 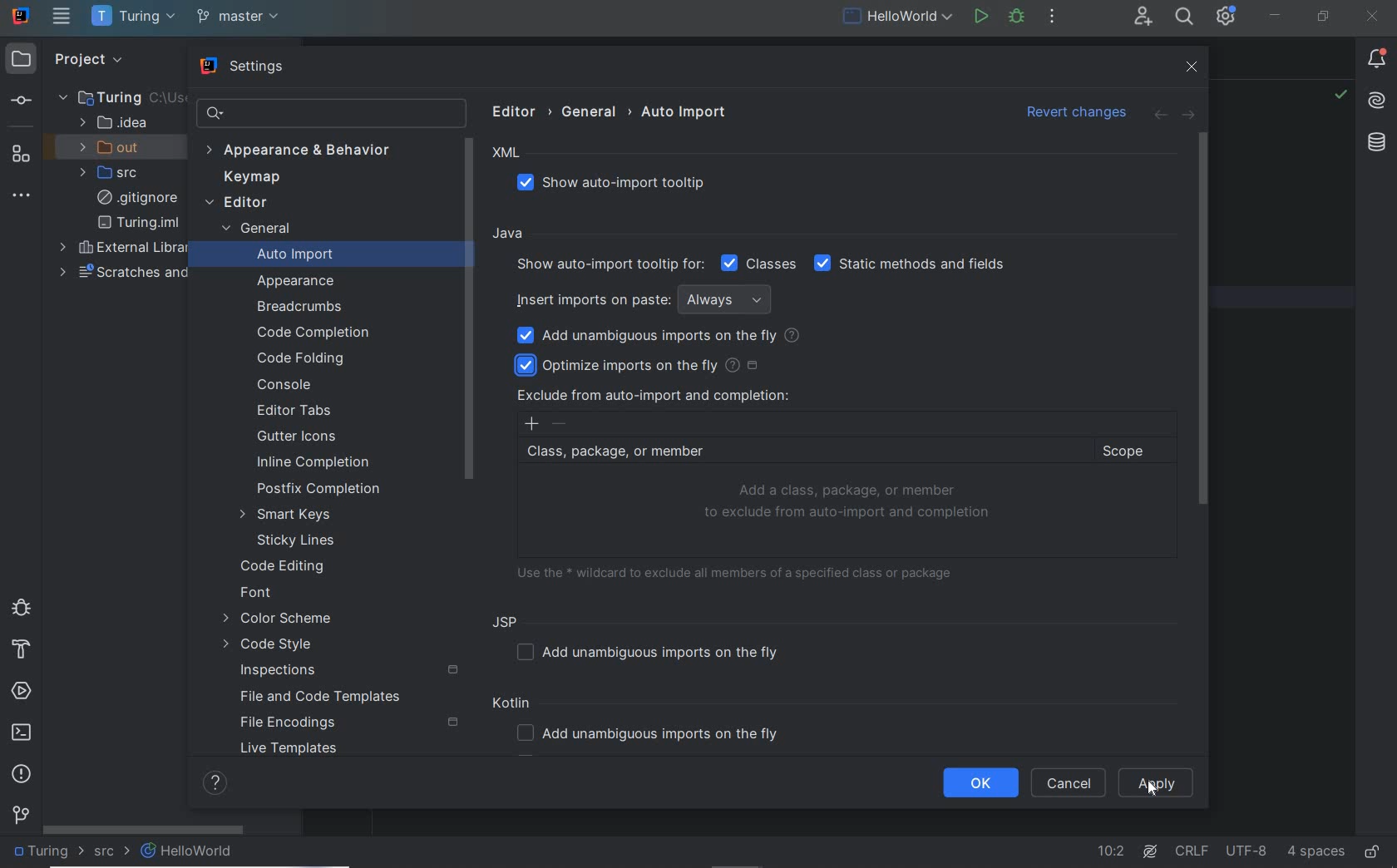 I want to click on KOTLIN, so click(x=515, y=705).